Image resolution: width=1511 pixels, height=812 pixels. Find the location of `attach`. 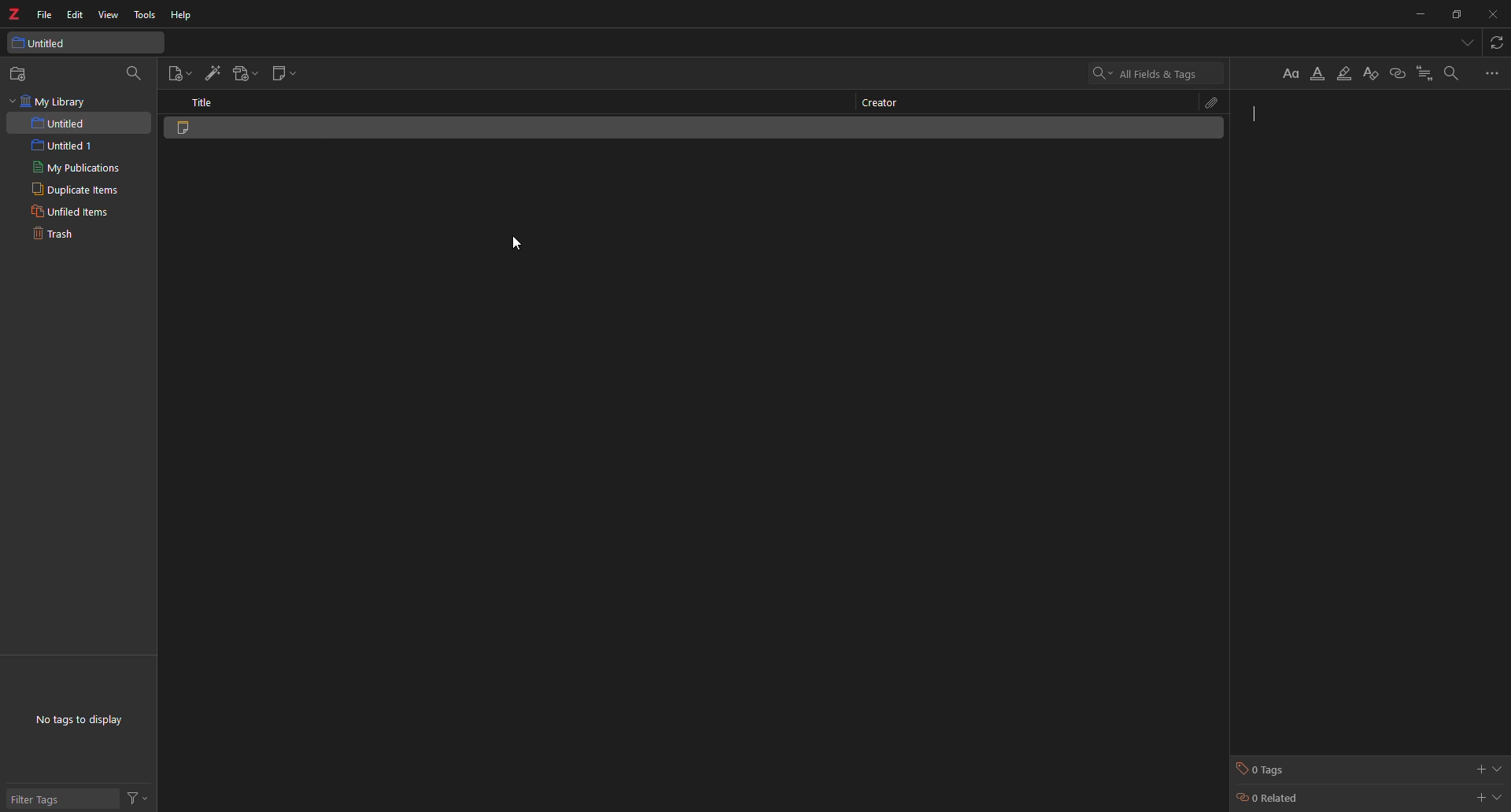

attach is located at coordinates (1212, 102).